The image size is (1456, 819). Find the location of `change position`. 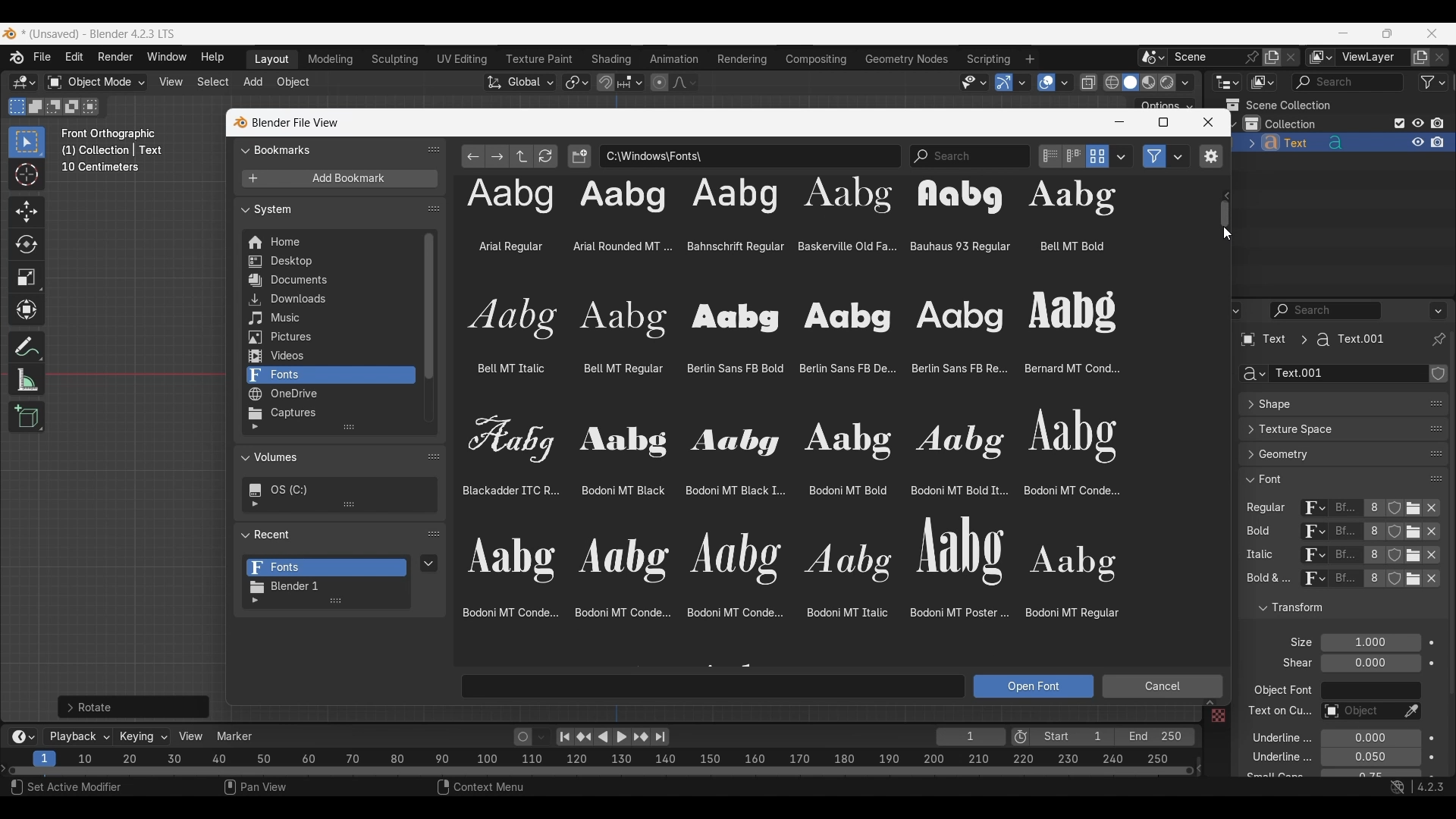

change position is located at coordinates (1437, 427).